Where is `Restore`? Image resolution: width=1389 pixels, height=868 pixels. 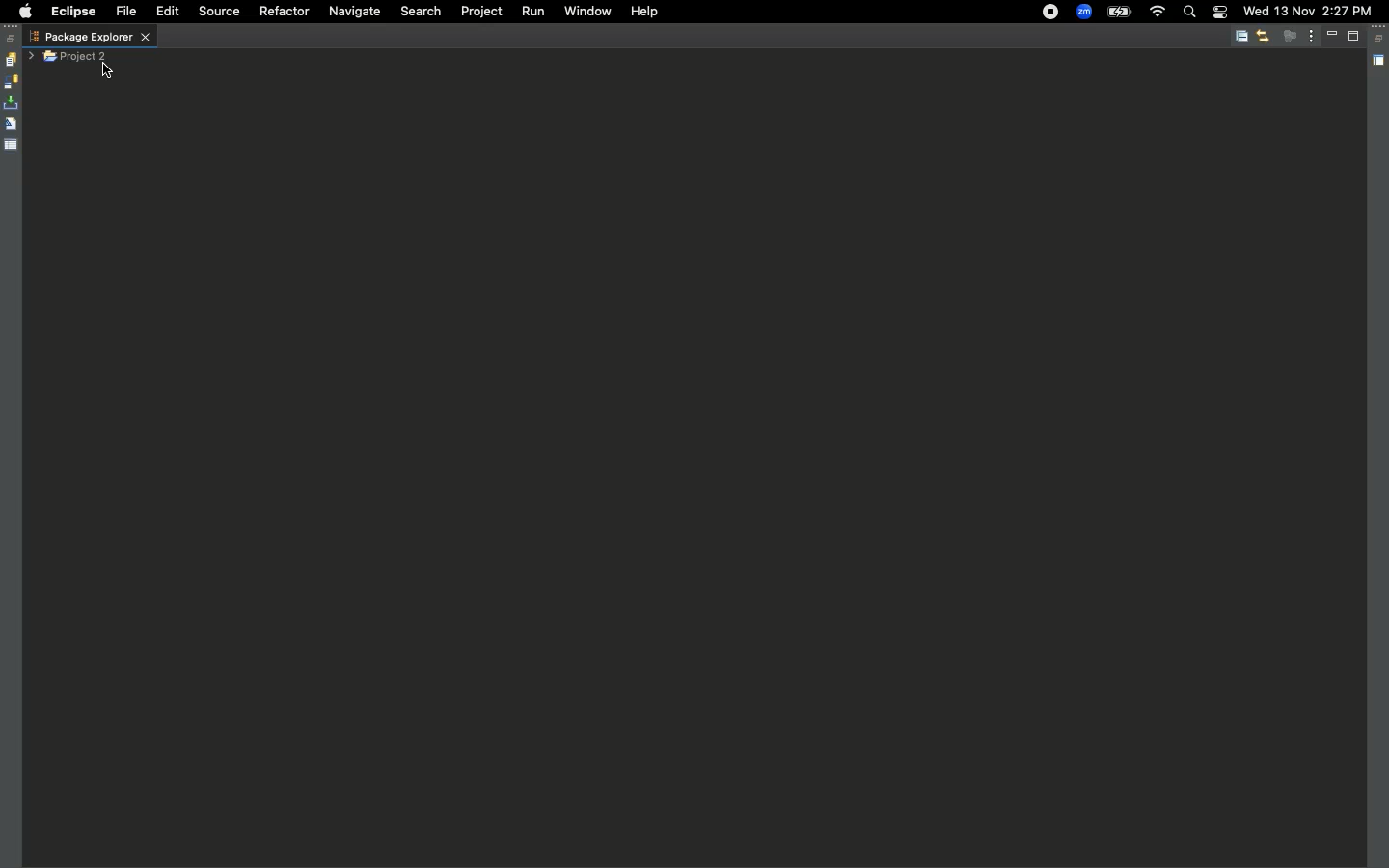 Restore is located at coordinates (1380, 40).